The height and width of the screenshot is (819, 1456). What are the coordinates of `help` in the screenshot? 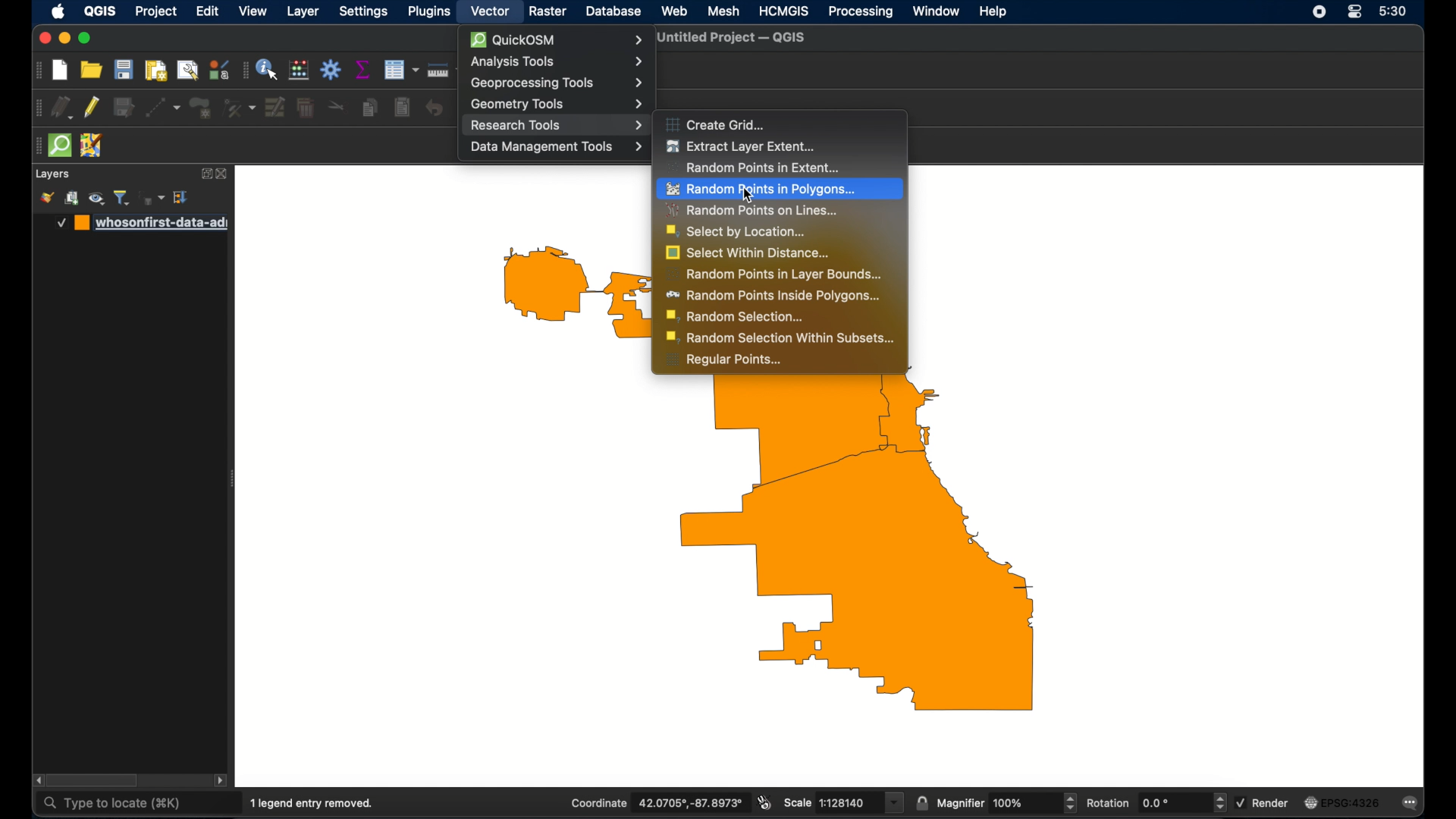 It's located at (993, 12).